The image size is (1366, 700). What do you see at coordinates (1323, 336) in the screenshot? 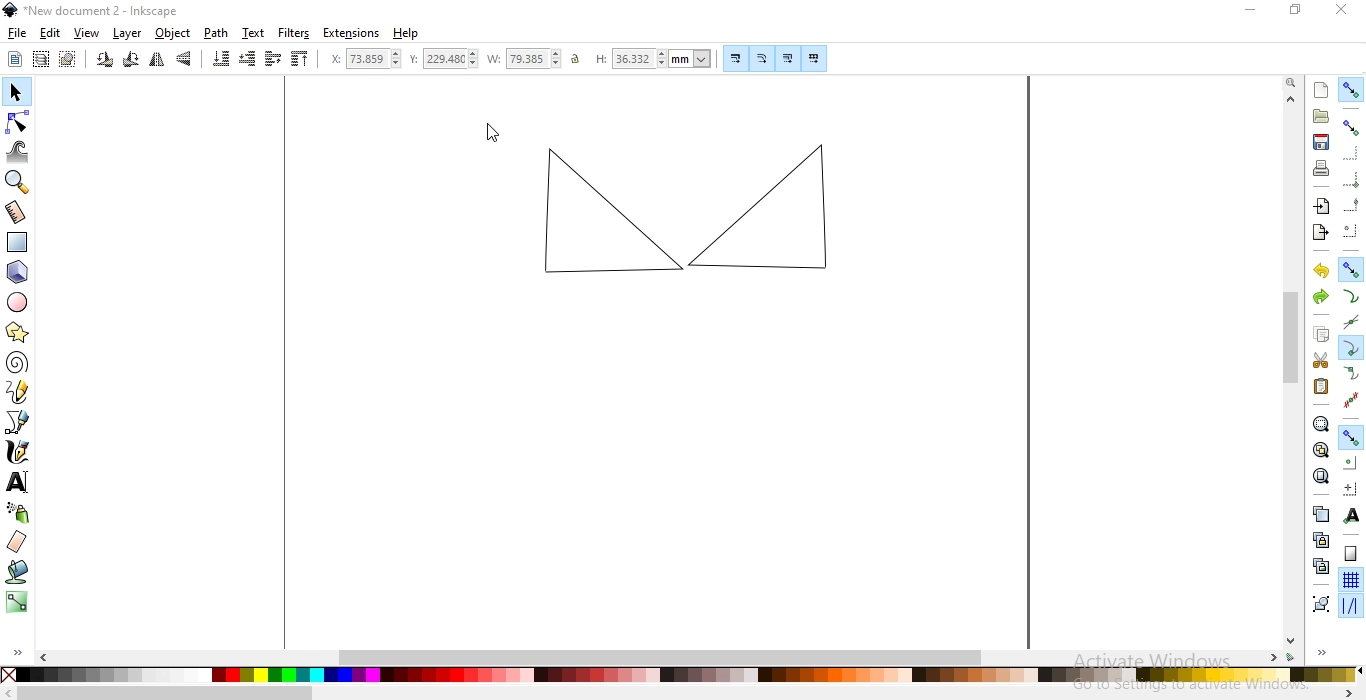
I see `copy selection to clipboard` at bounding box center [1323, 336].